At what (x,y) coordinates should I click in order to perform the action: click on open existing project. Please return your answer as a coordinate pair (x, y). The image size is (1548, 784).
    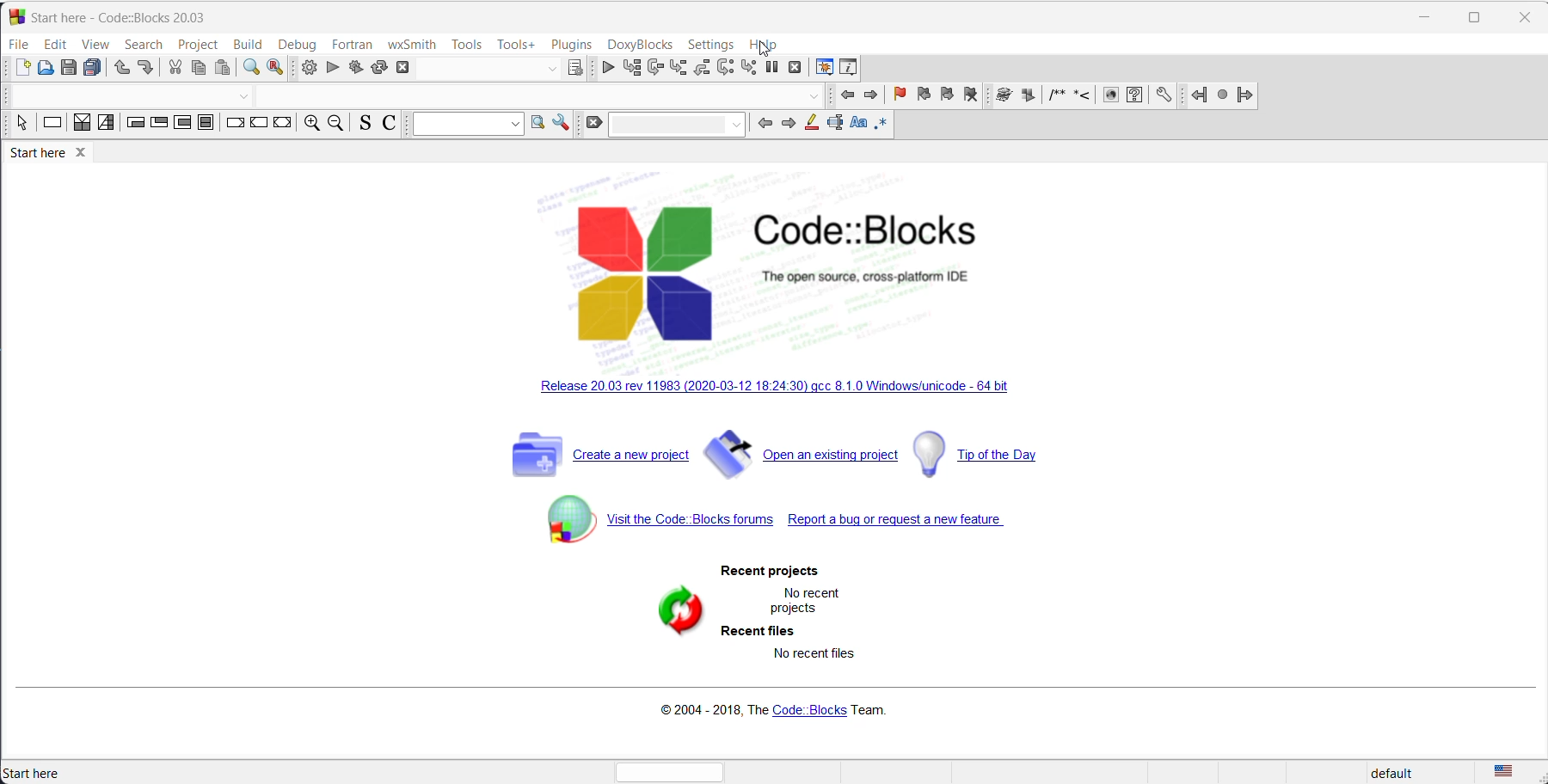
    Looking at the image, I should click on (802, 457).